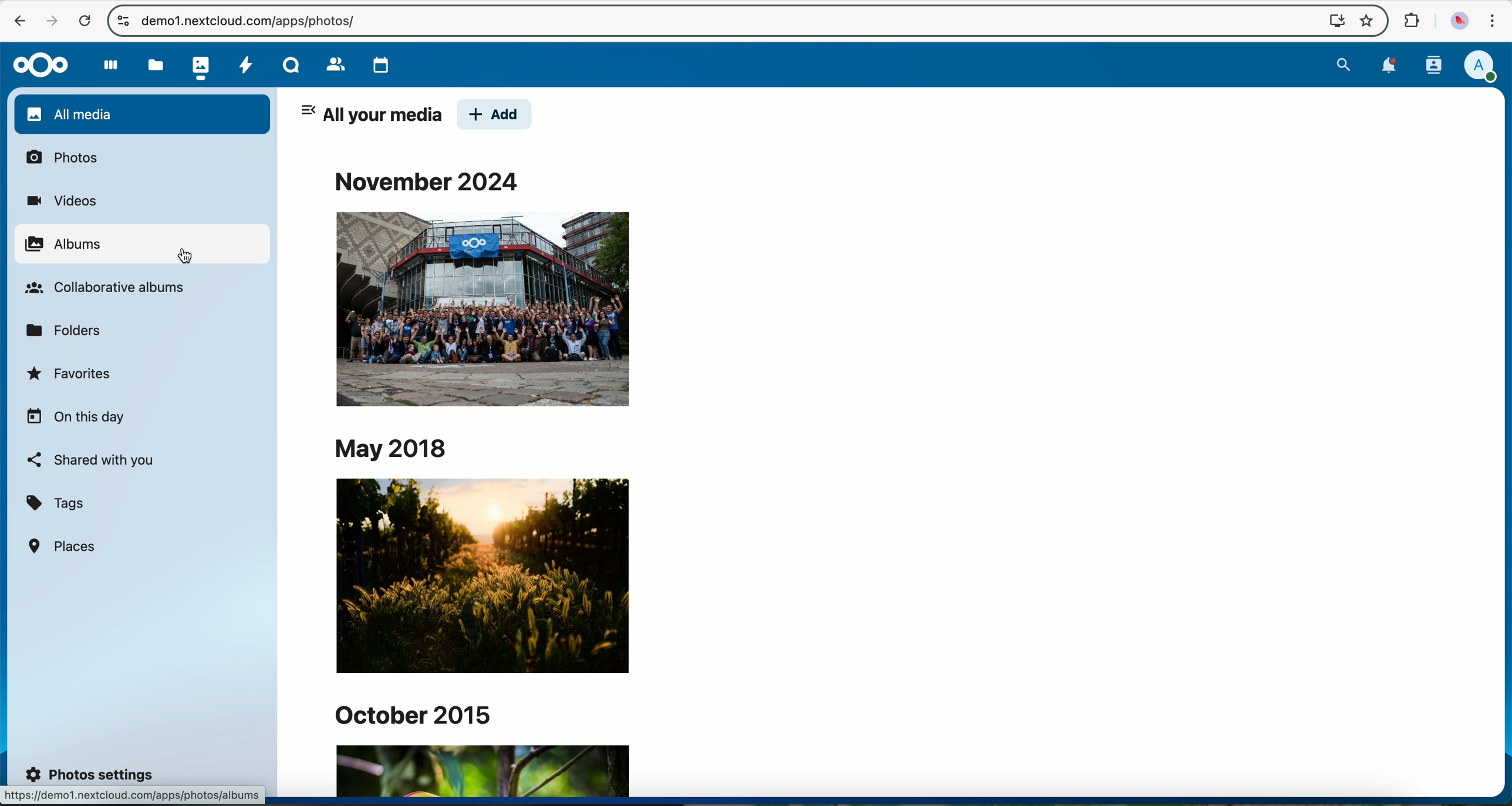 The image size is (1512, 806). Describe the element at coordinates (85, 22) in the screenshot. I see `cancel` at that location.